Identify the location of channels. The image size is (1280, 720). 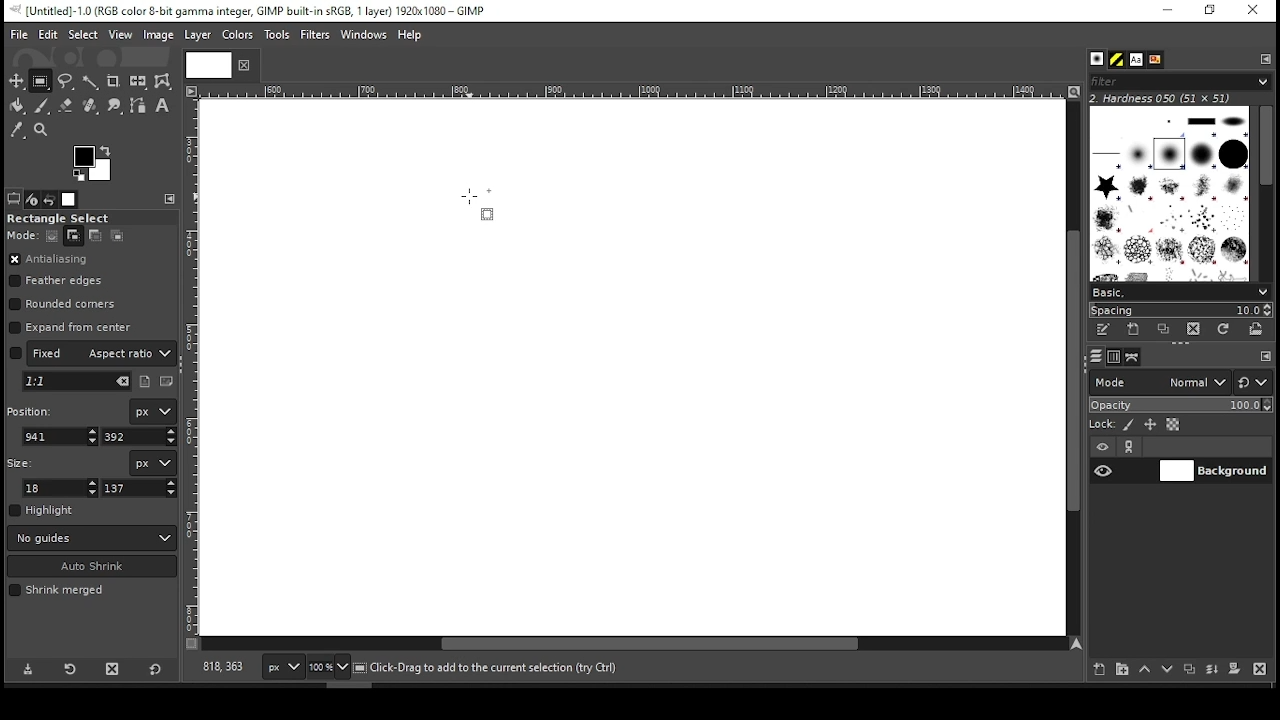
(1113, 357).